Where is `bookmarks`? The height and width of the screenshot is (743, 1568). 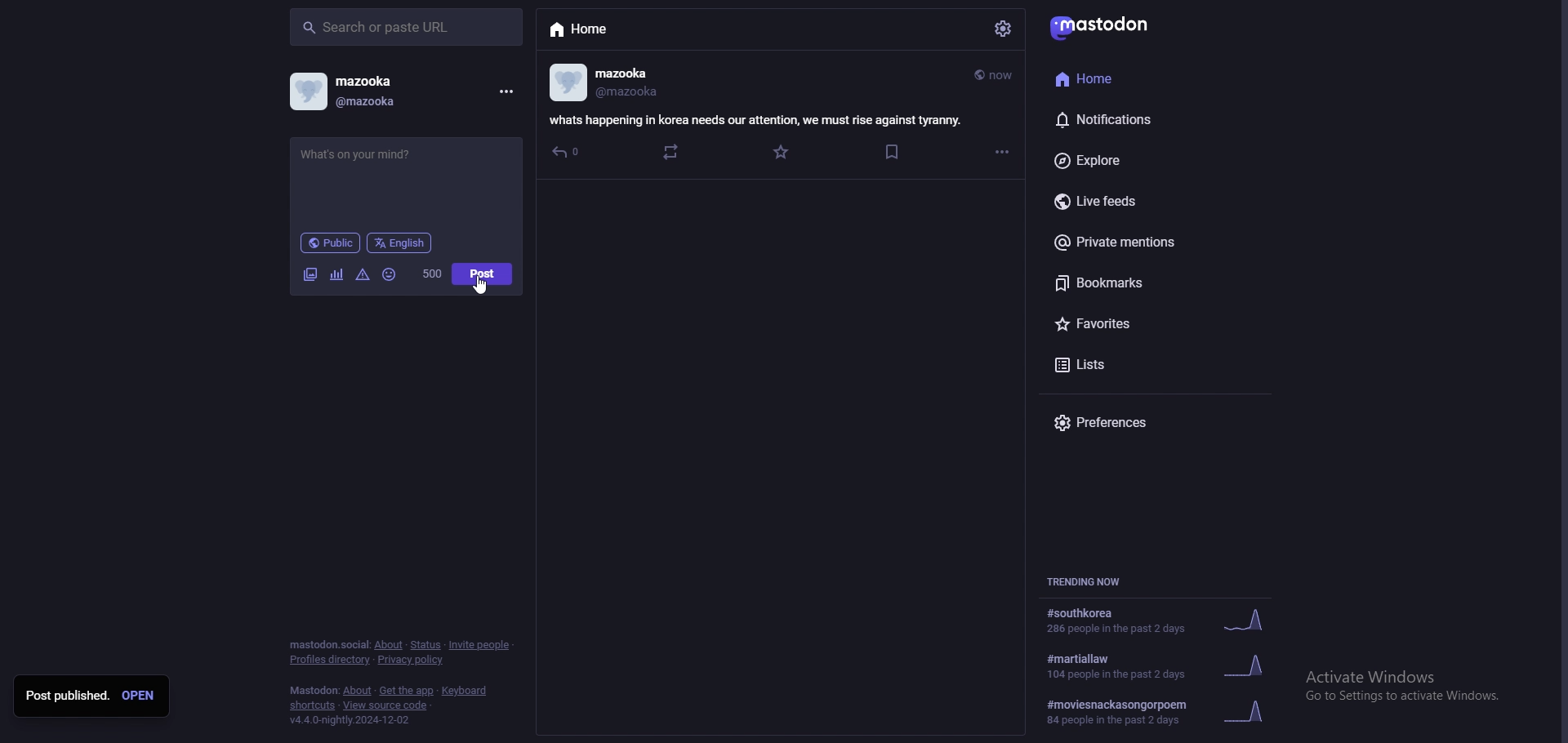 bookmarks is located at coordinates (1157, 286).